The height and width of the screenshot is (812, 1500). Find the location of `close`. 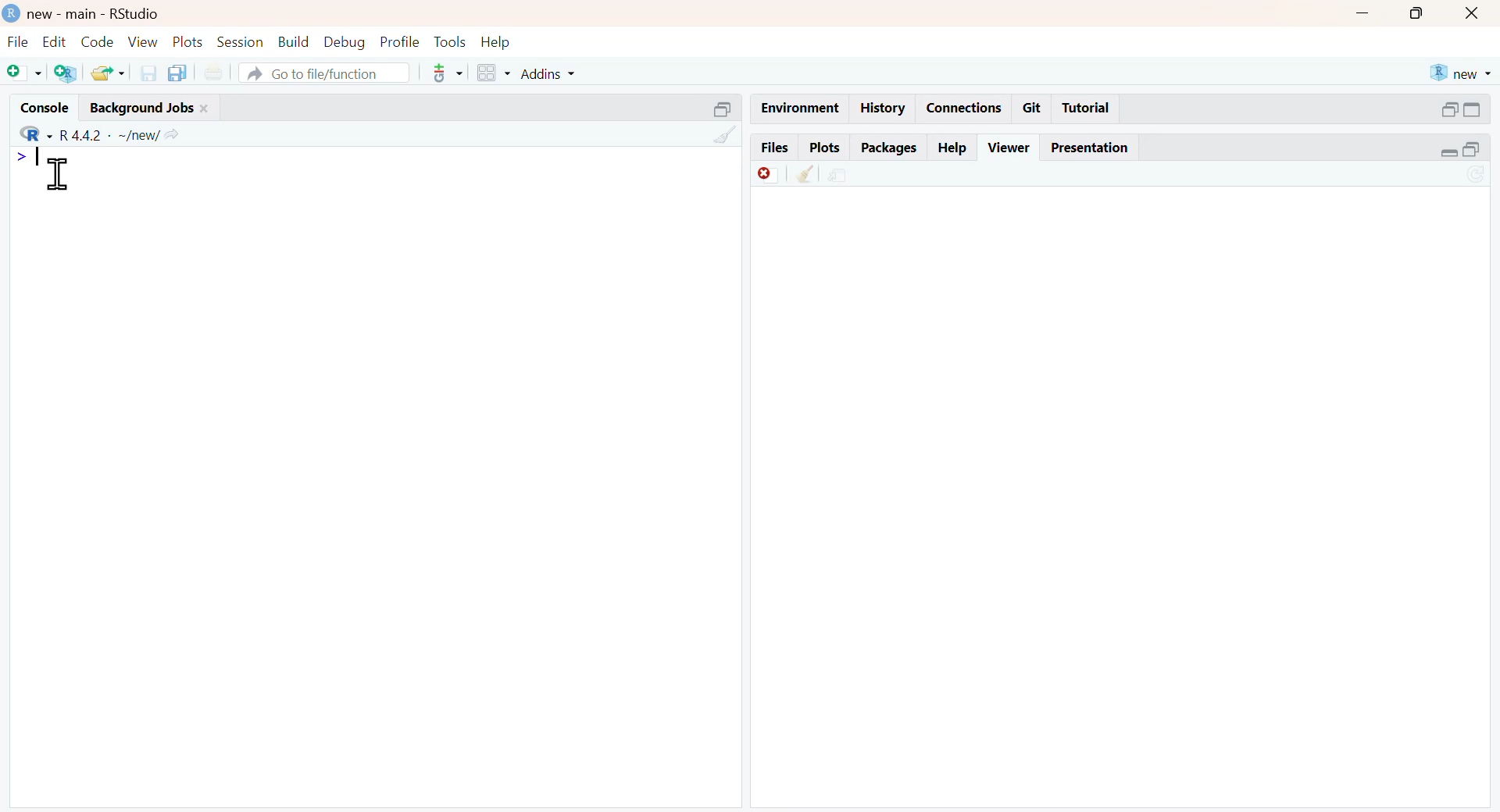

close is located at coordinates (205, 109).